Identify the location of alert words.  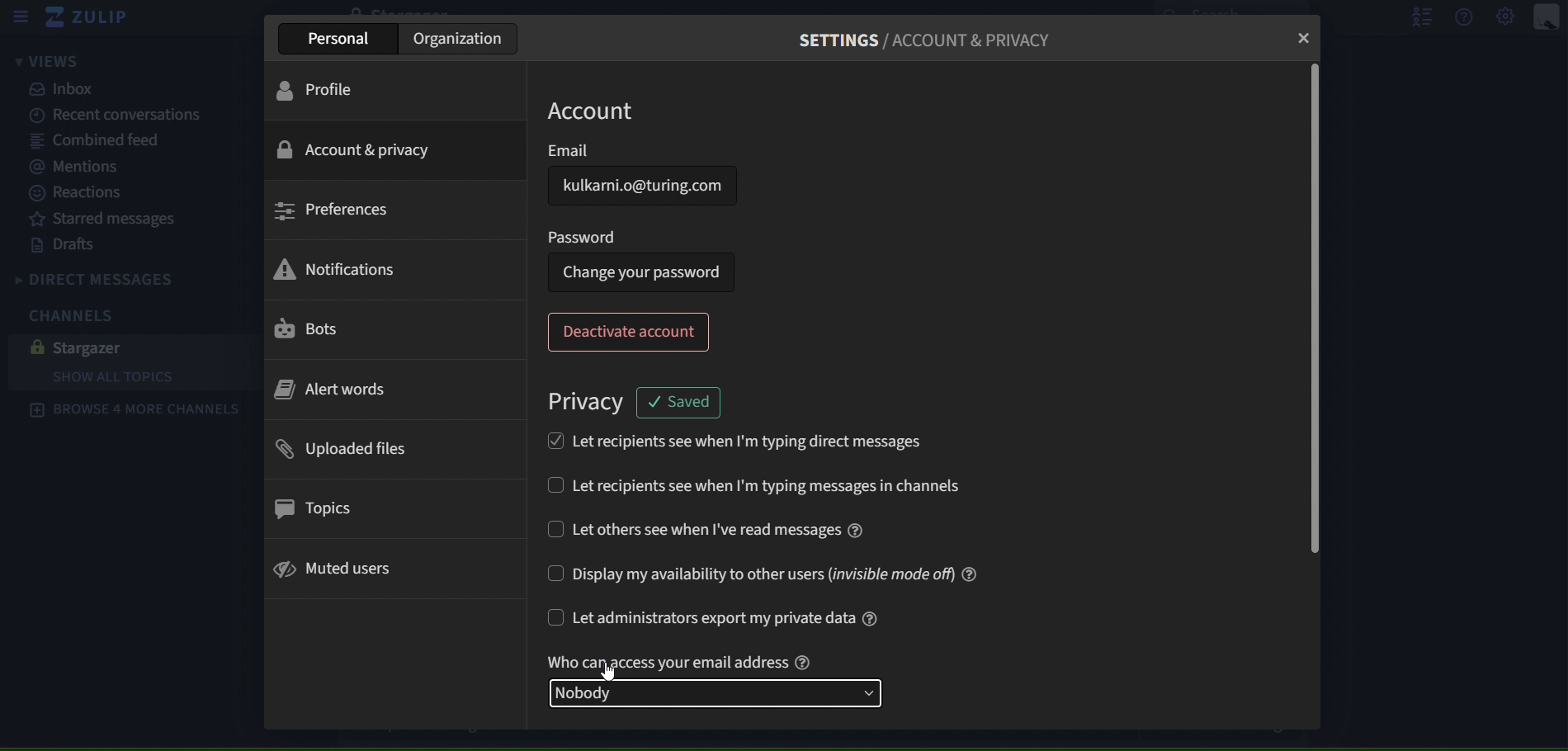
(333, 391).